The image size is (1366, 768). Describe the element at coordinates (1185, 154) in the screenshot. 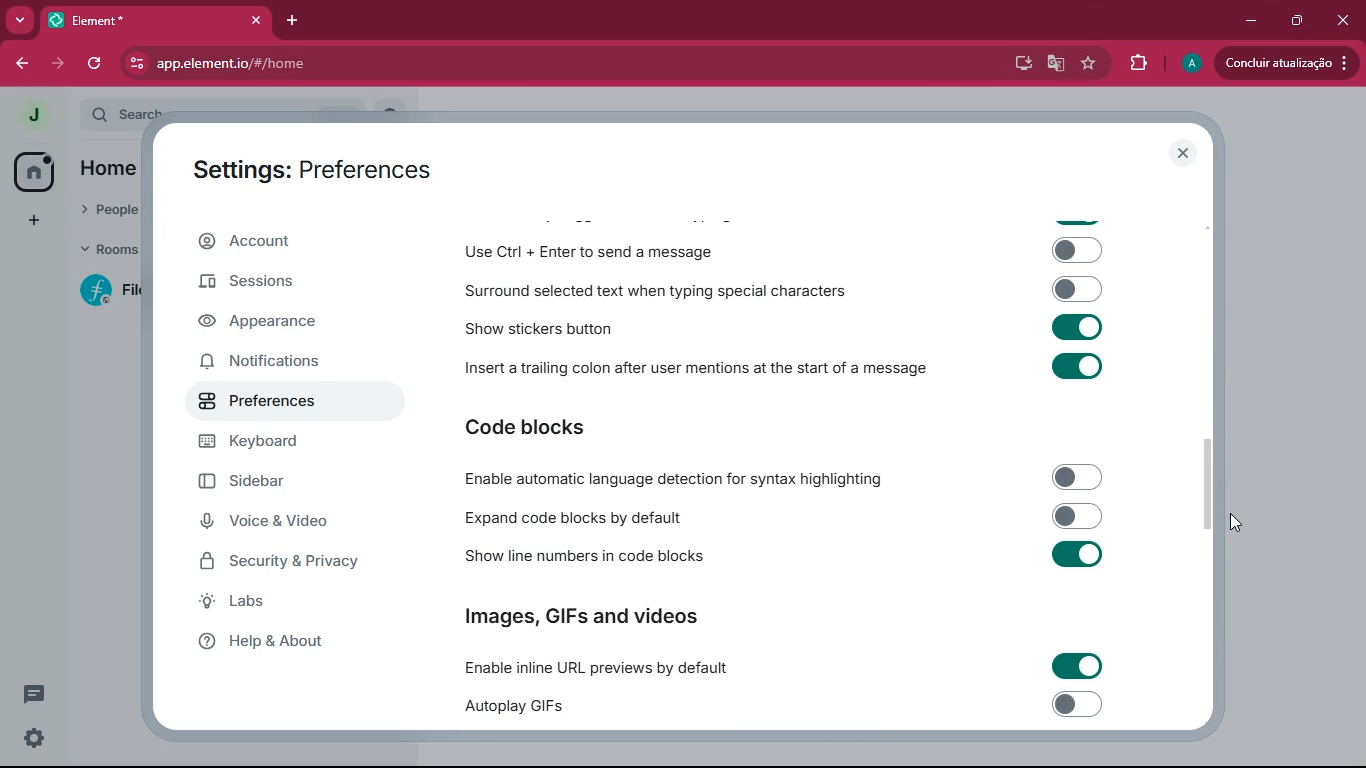

I see `close` at that location.